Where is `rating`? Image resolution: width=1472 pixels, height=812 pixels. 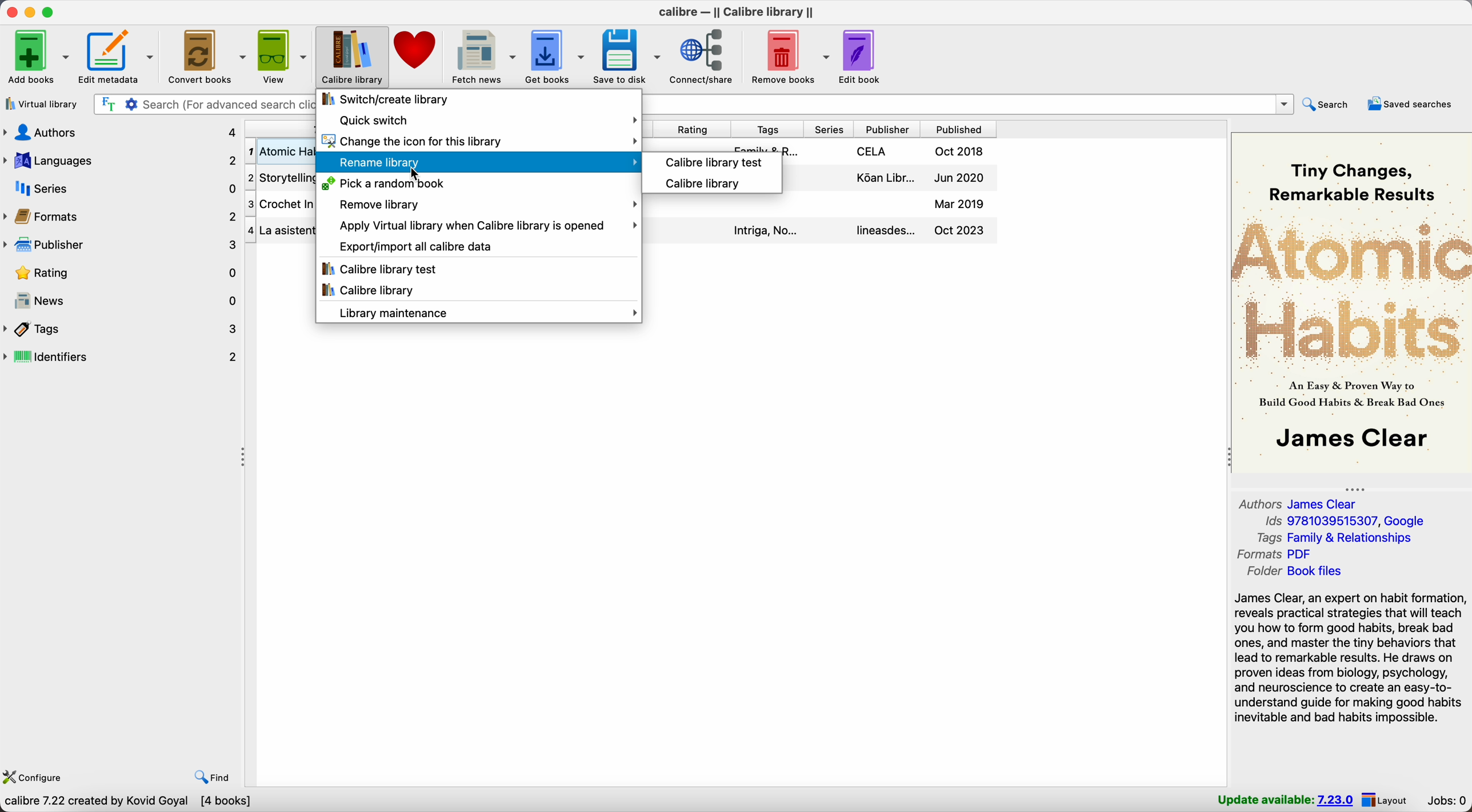
rating is located at coordinates (697, 128).